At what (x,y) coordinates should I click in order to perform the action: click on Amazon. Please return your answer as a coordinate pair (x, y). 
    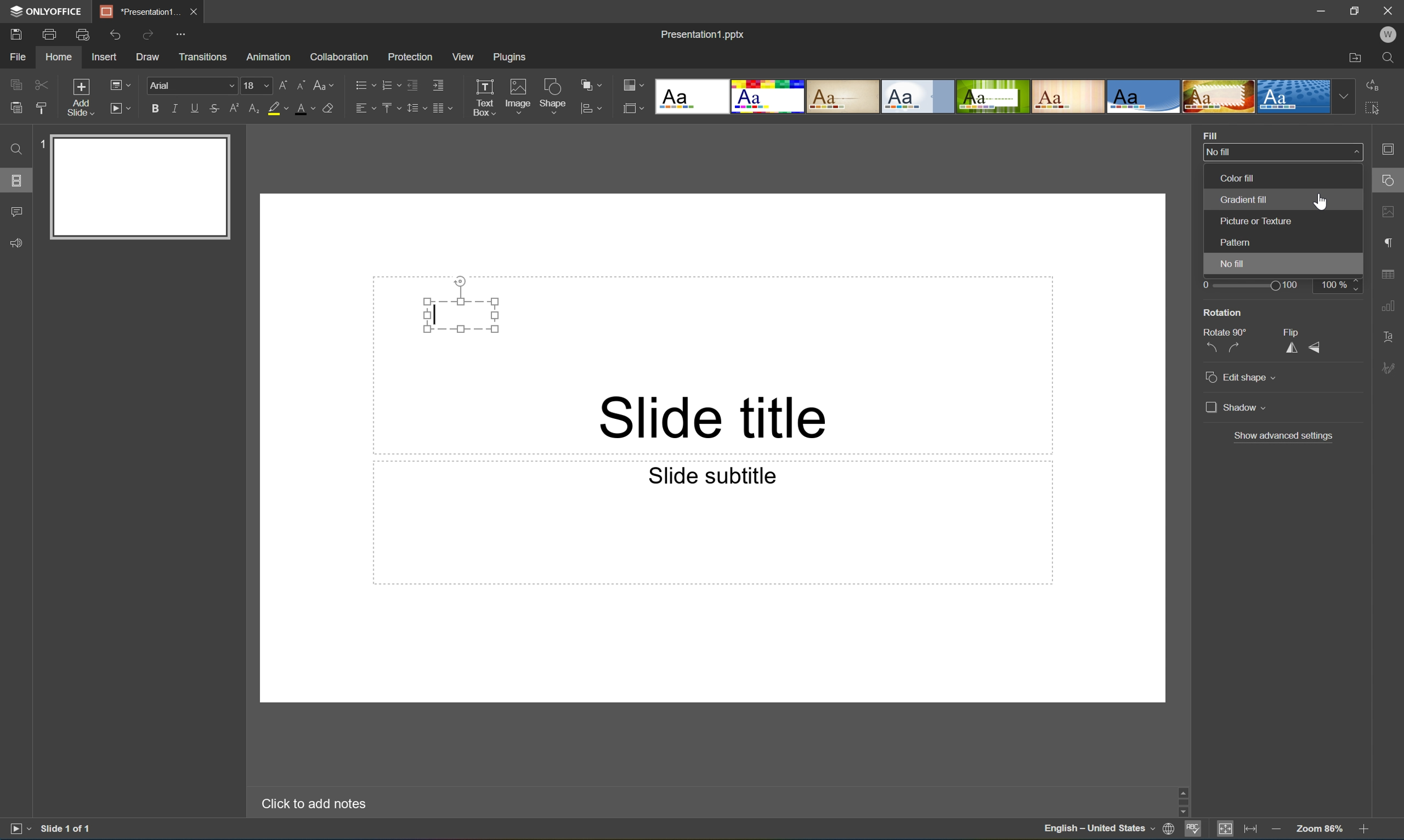
    Looking at the image, I should click on (269, 55).